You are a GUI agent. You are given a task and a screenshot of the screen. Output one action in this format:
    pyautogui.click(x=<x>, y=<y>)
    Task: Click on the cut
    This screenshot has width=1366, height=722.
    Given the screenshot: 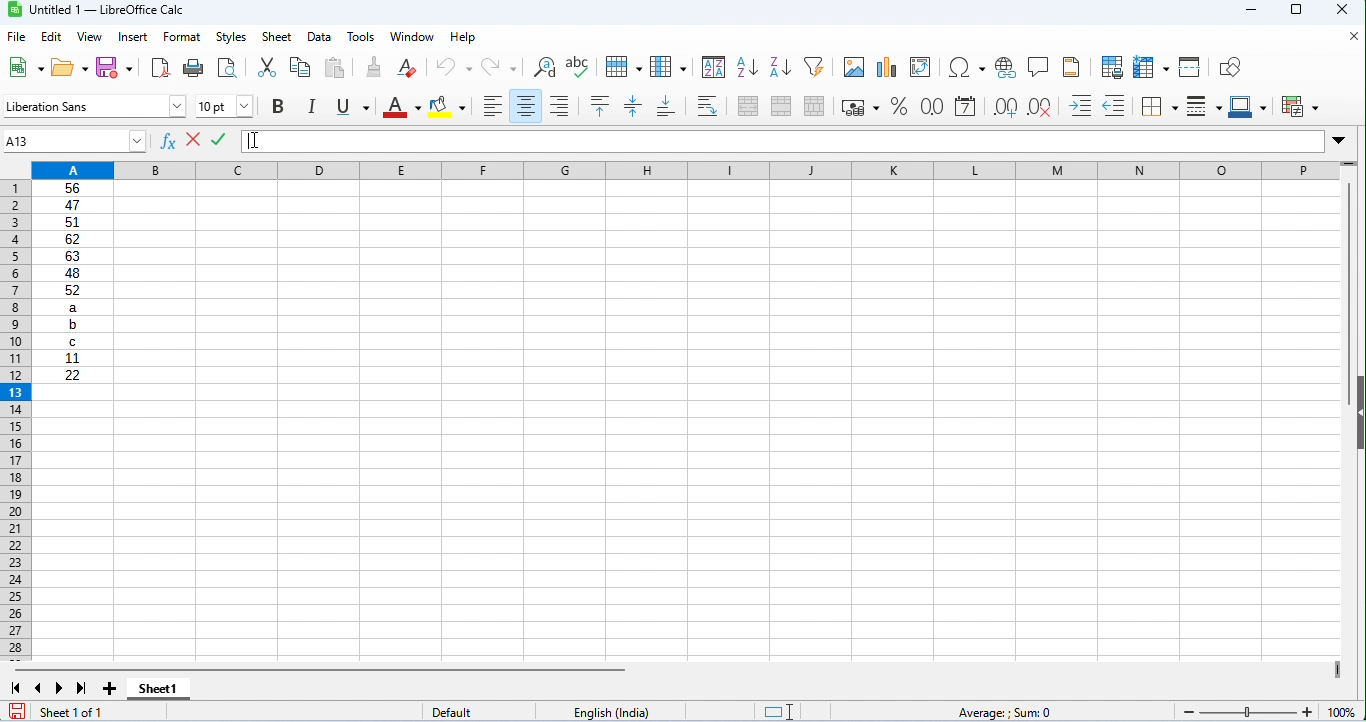 What is the action you would take?
    pyautogui.click(x=266, y=68)
    